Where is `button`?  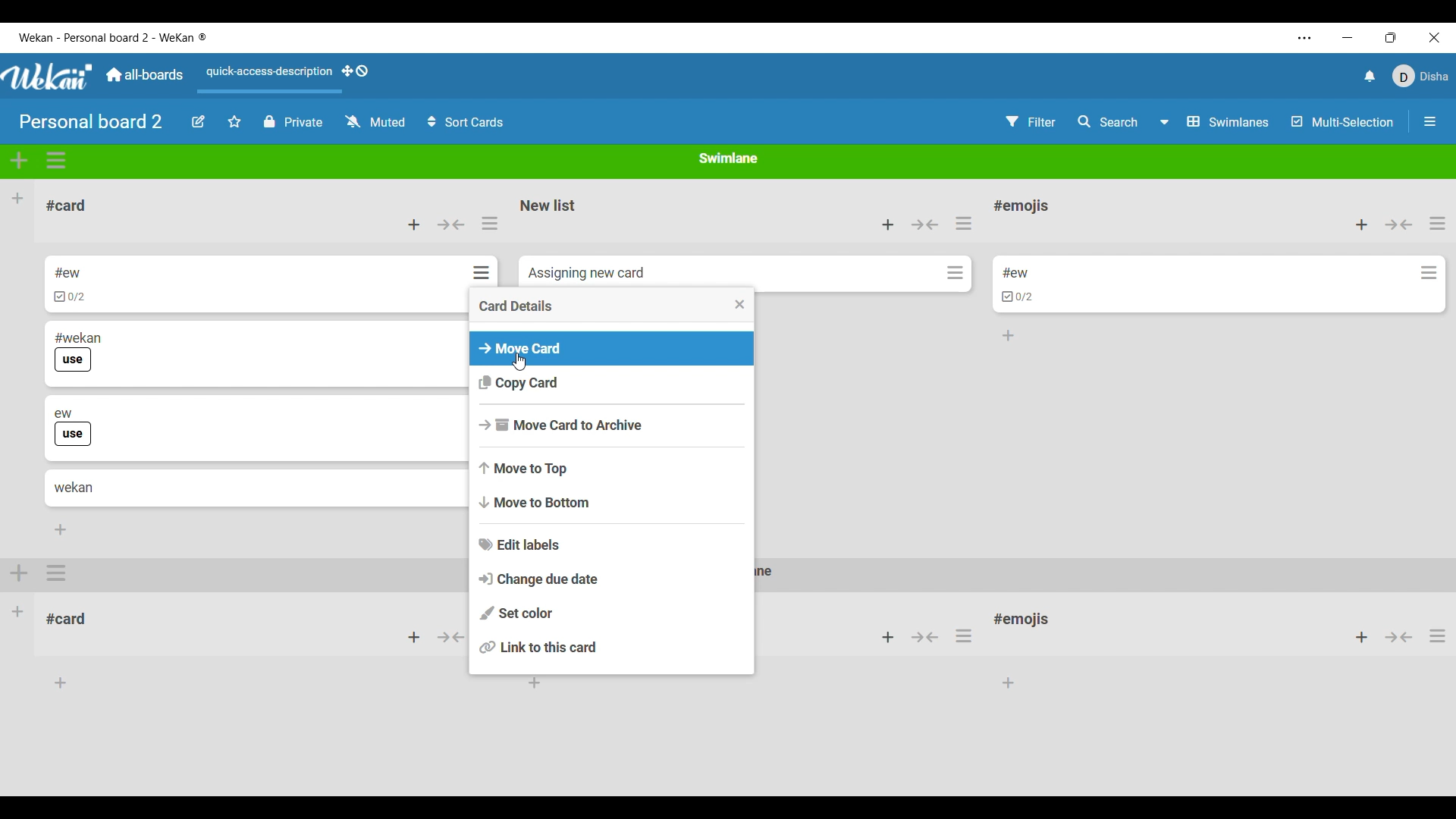
button is located at coordinates (925, 636).